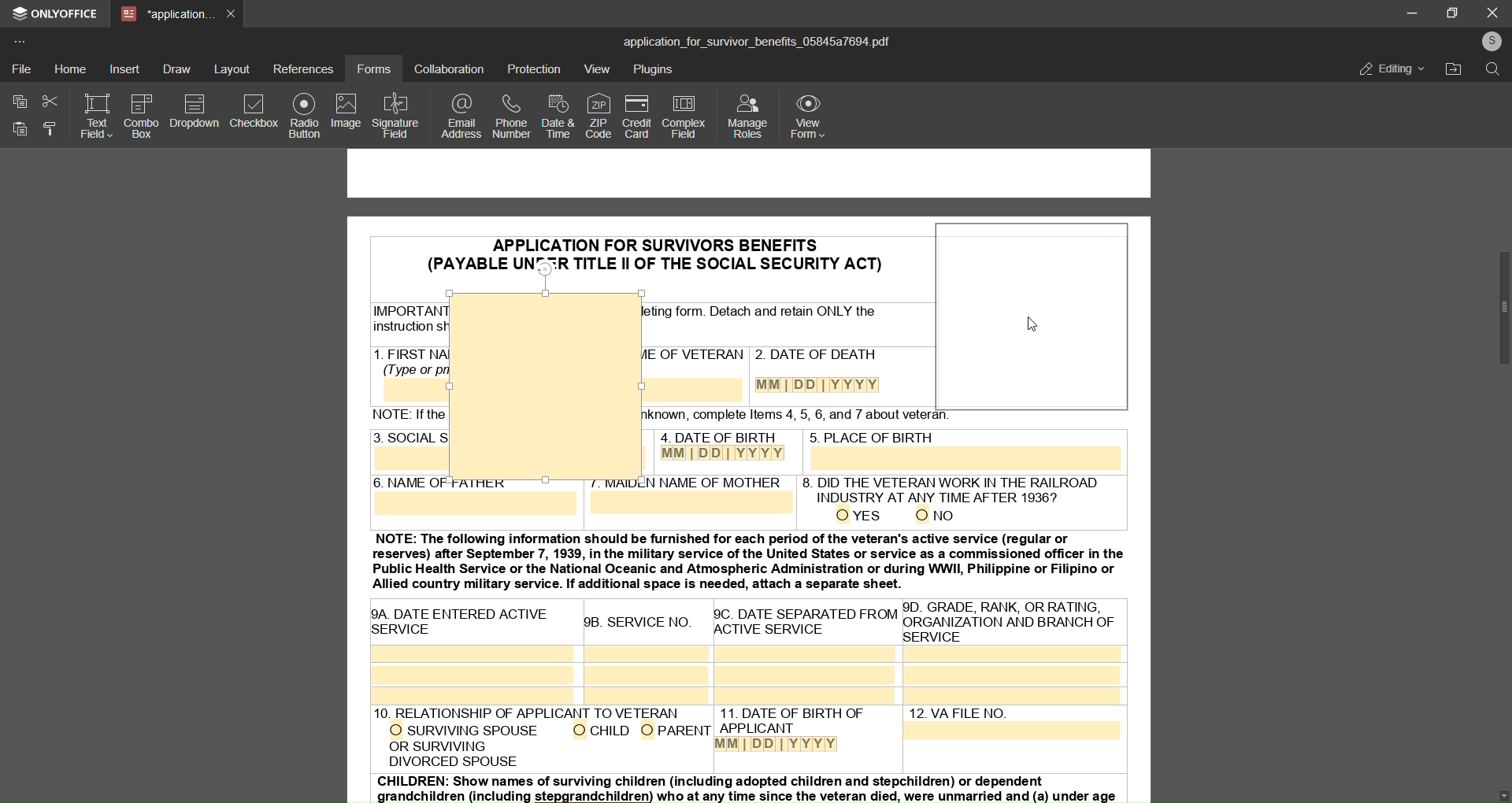  I want to click on view, so click(597, 70).